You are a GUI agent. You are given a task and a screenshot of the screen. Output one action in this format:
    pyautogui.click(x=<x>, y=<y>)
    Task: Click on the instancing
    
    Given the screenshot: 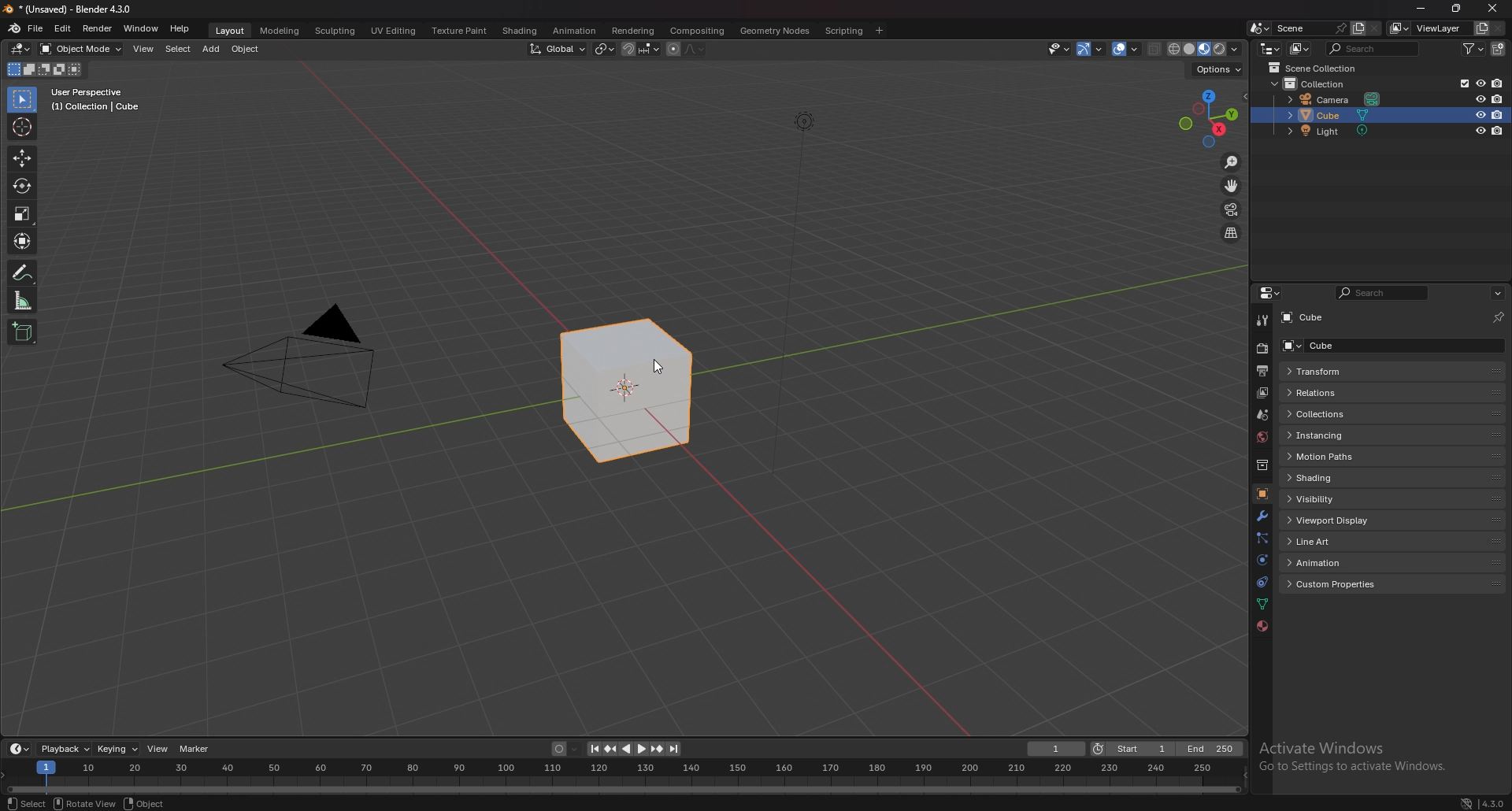 What is the action you would take?
    pyautogui.click(x=1339, y=436)
    